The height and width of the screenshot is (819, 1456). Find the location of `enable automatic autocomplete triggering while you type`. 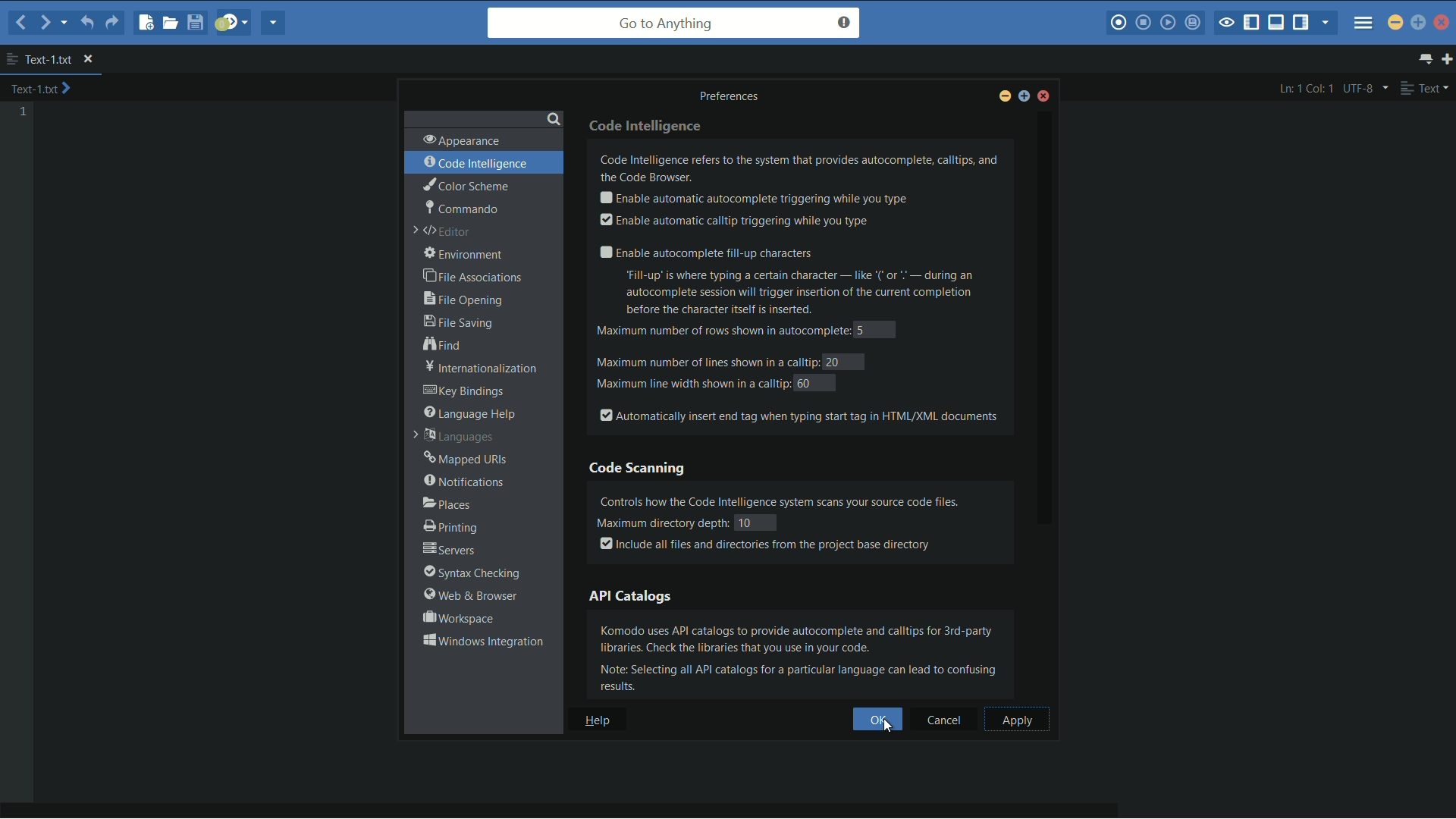

enable automatic autocomplete triggering while you type is located at coordinates (752, 199).